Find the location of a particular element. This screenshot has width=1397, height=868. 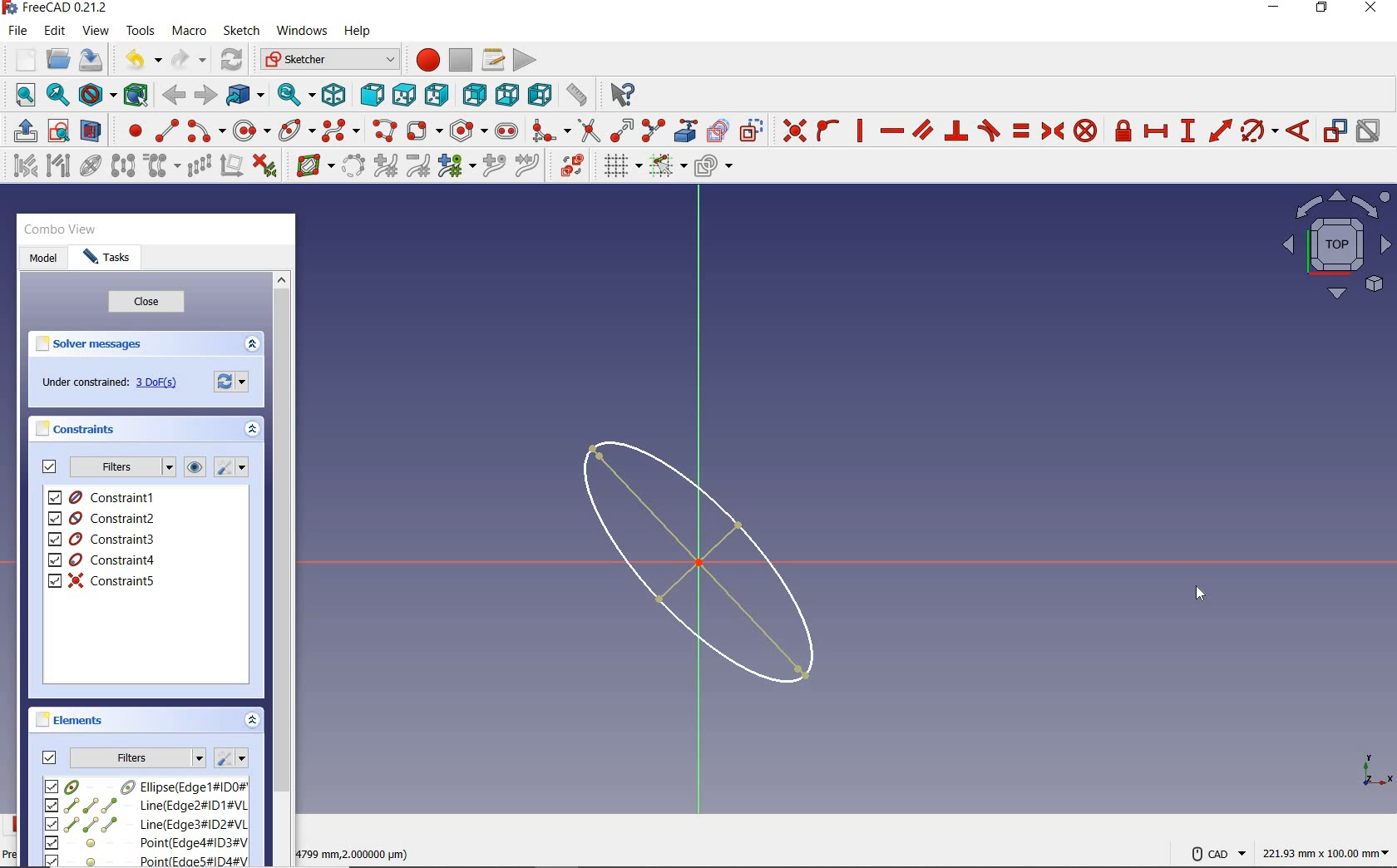

bounding box is located at coordinates (136, 94).